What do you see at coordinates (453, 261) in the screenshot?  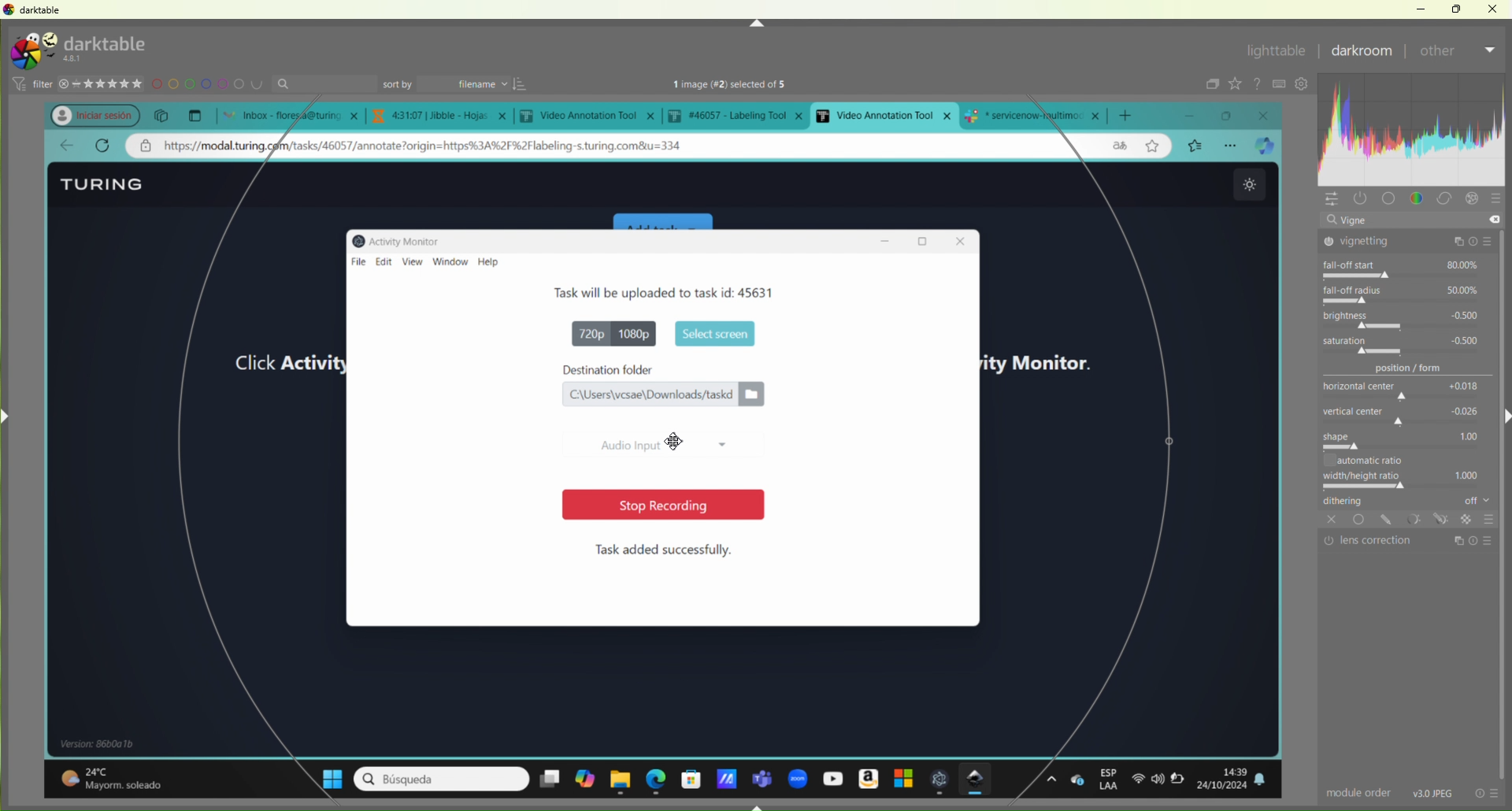 I see `window` at bounding box center [453, 261].